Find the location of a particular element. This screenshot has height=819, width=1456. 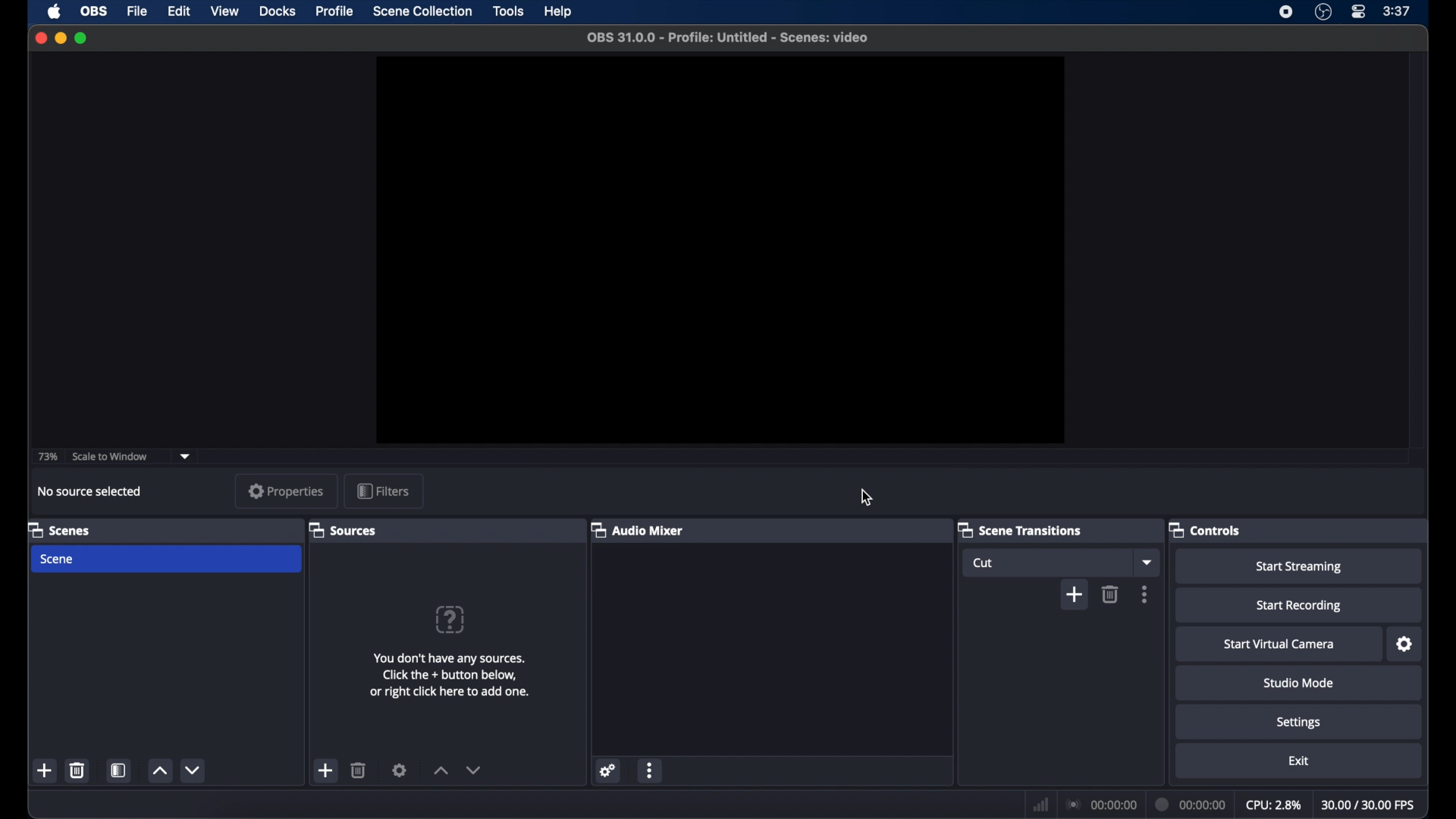

increment is located at coordinates (440, 770).